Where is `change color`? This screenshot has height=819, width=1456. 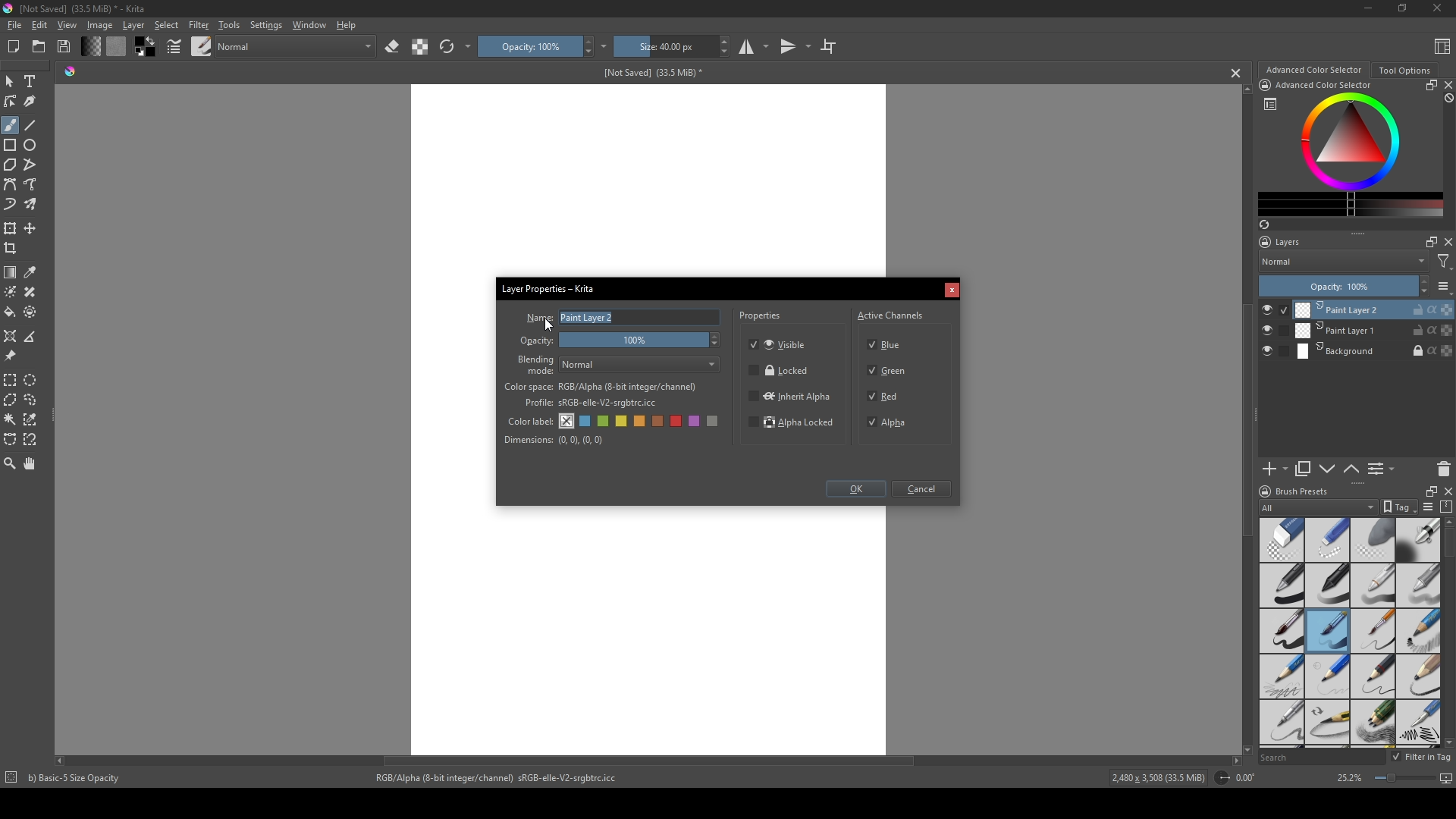
change color is located at coordinates (1351, 204).